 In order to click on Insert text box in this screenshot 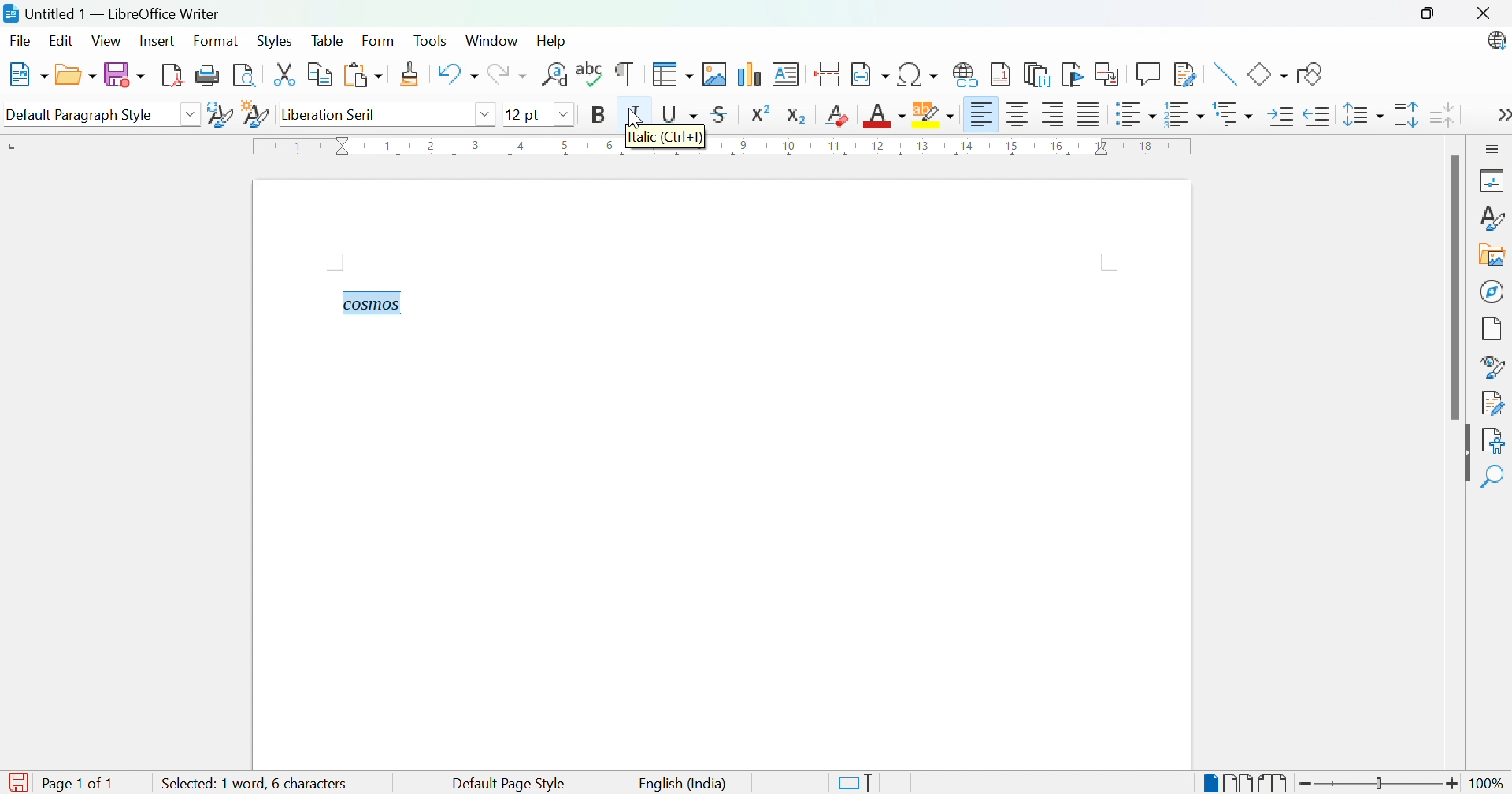, I will do `click(784, 74)`.